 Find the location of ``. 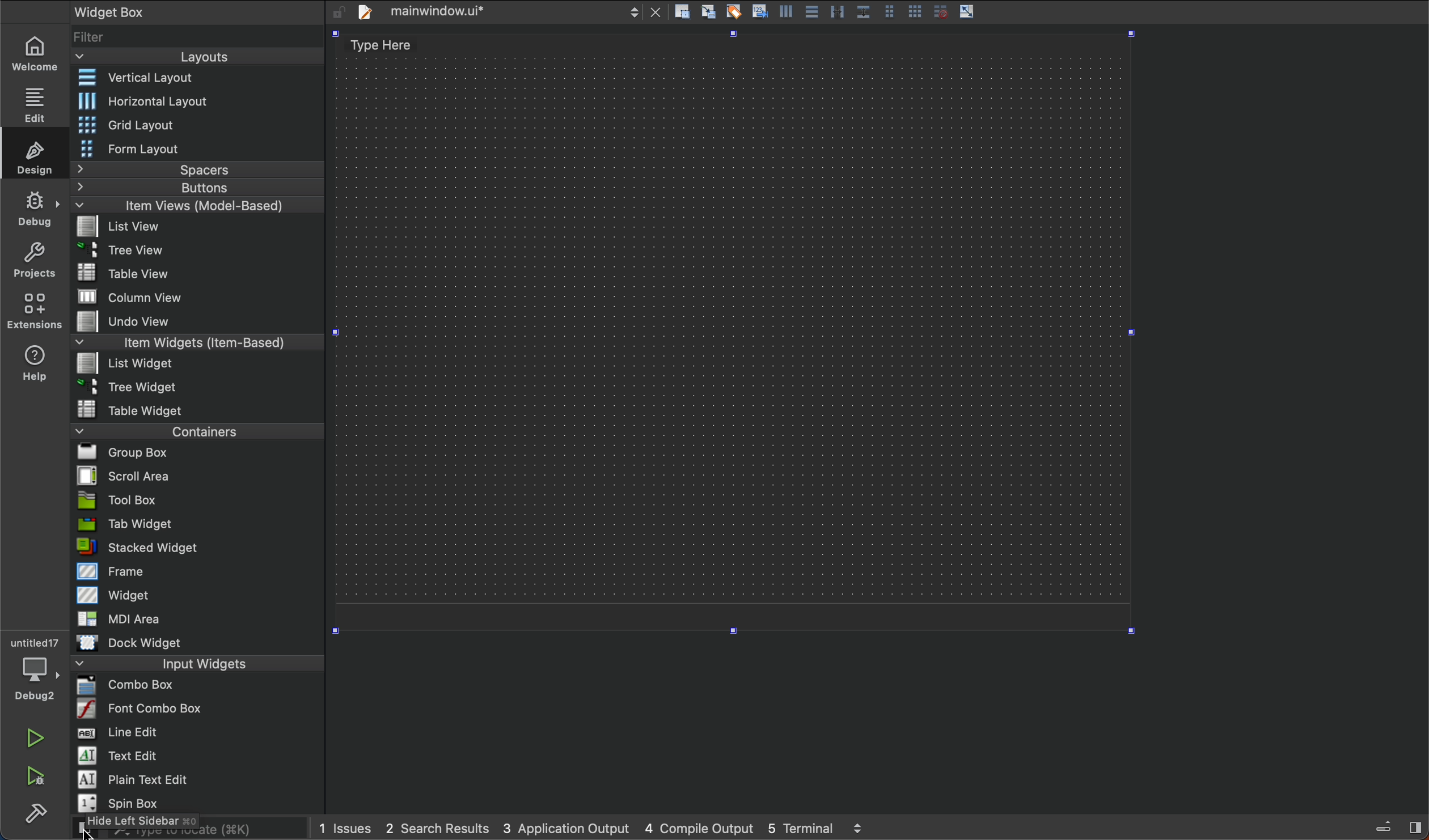

 is located at coordinates (812, 11).